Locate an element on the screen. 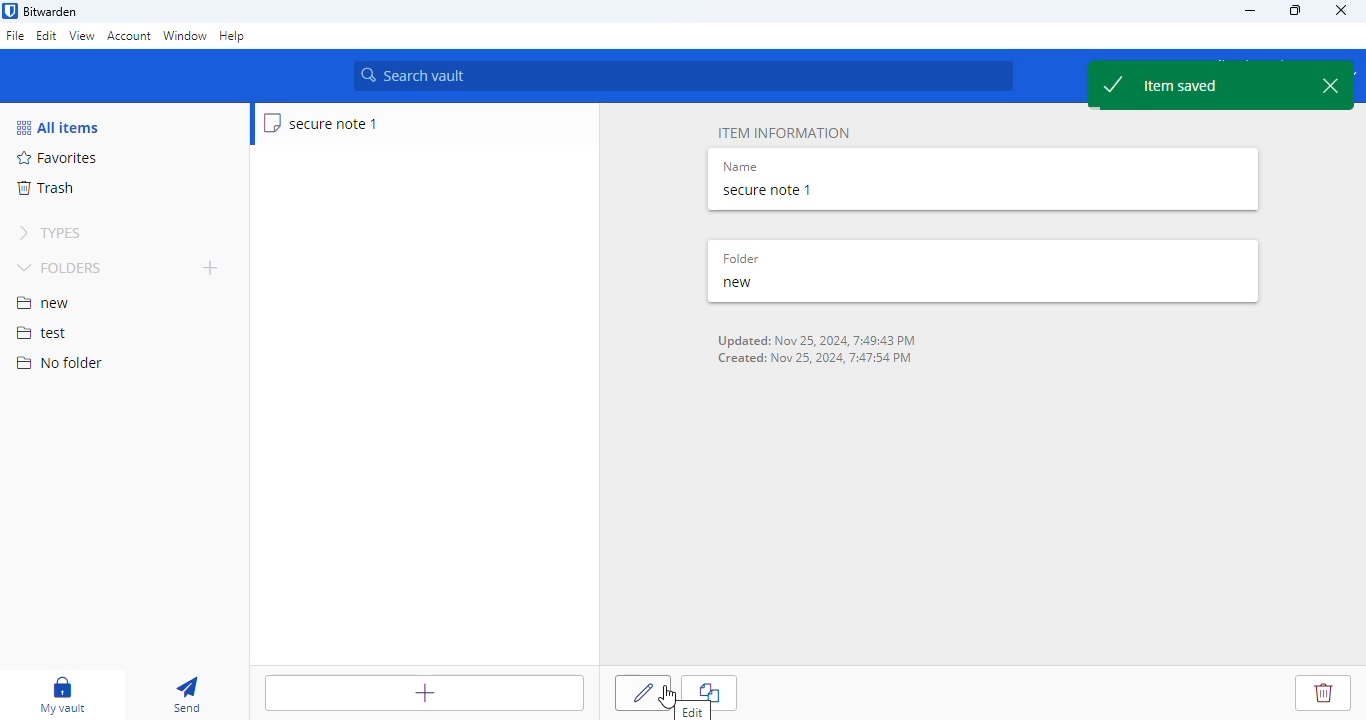 The height and width of the screenshot is (720, 1366). maximize is located at coordinates (1297, 10).